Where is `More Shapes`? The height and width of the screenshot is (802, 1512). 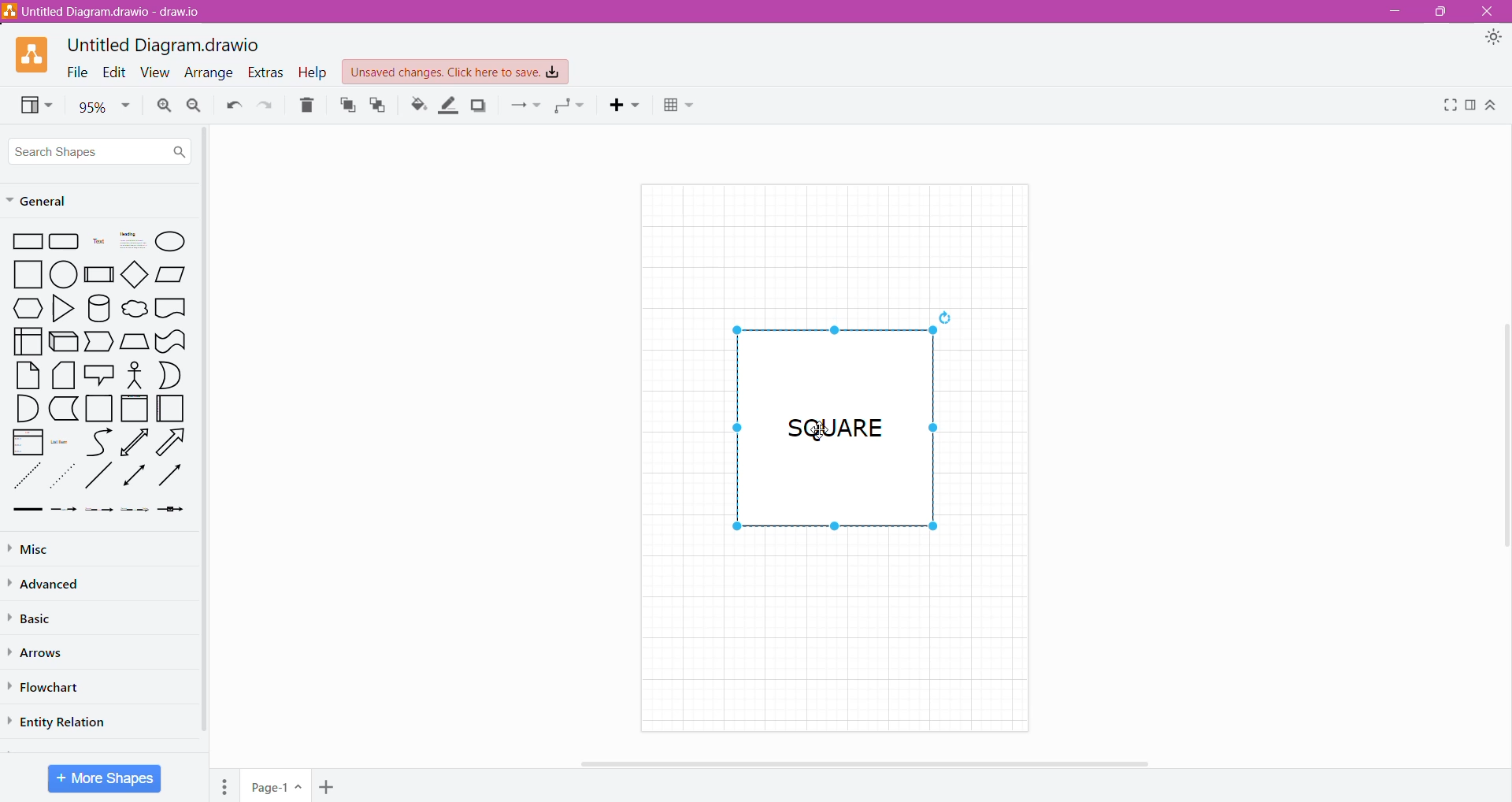 More Shapes is located at coordinates (104, 778).